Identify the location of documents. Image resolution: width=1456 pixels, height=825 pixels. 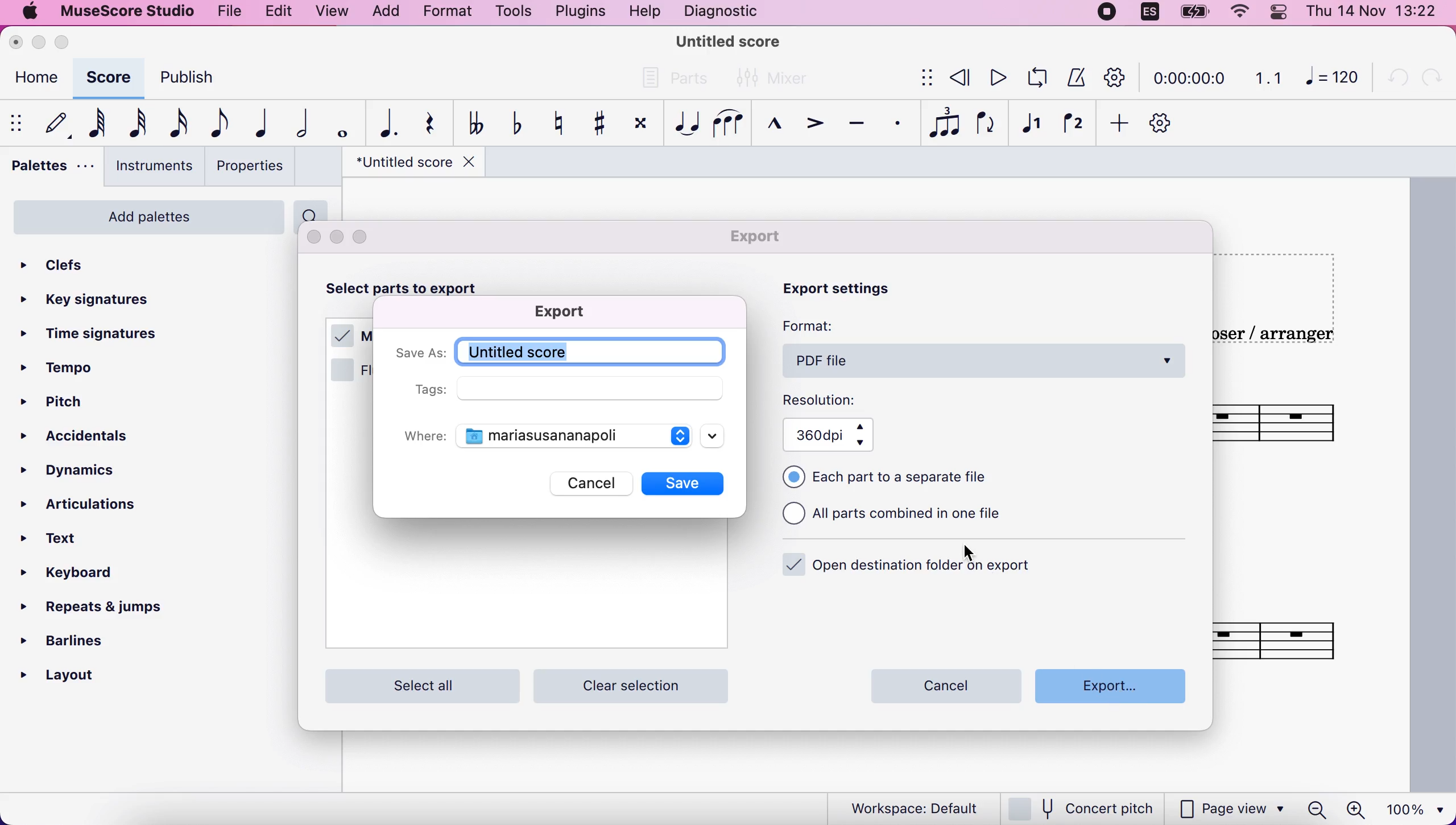
(572, 434).